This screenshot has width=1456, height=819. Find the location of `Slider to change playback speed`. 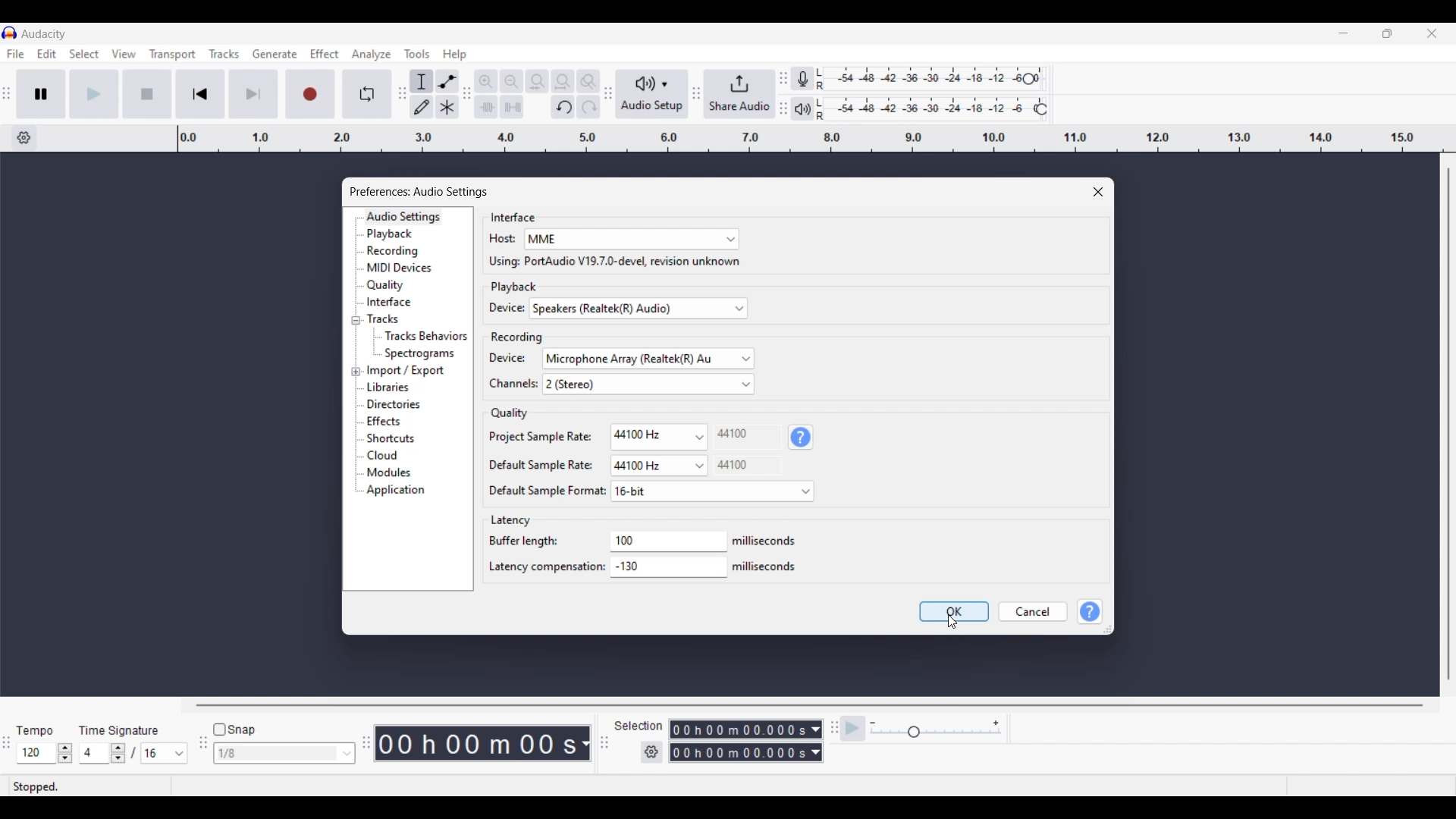

Slider to change playback speed is located at coordinates (936, 733).